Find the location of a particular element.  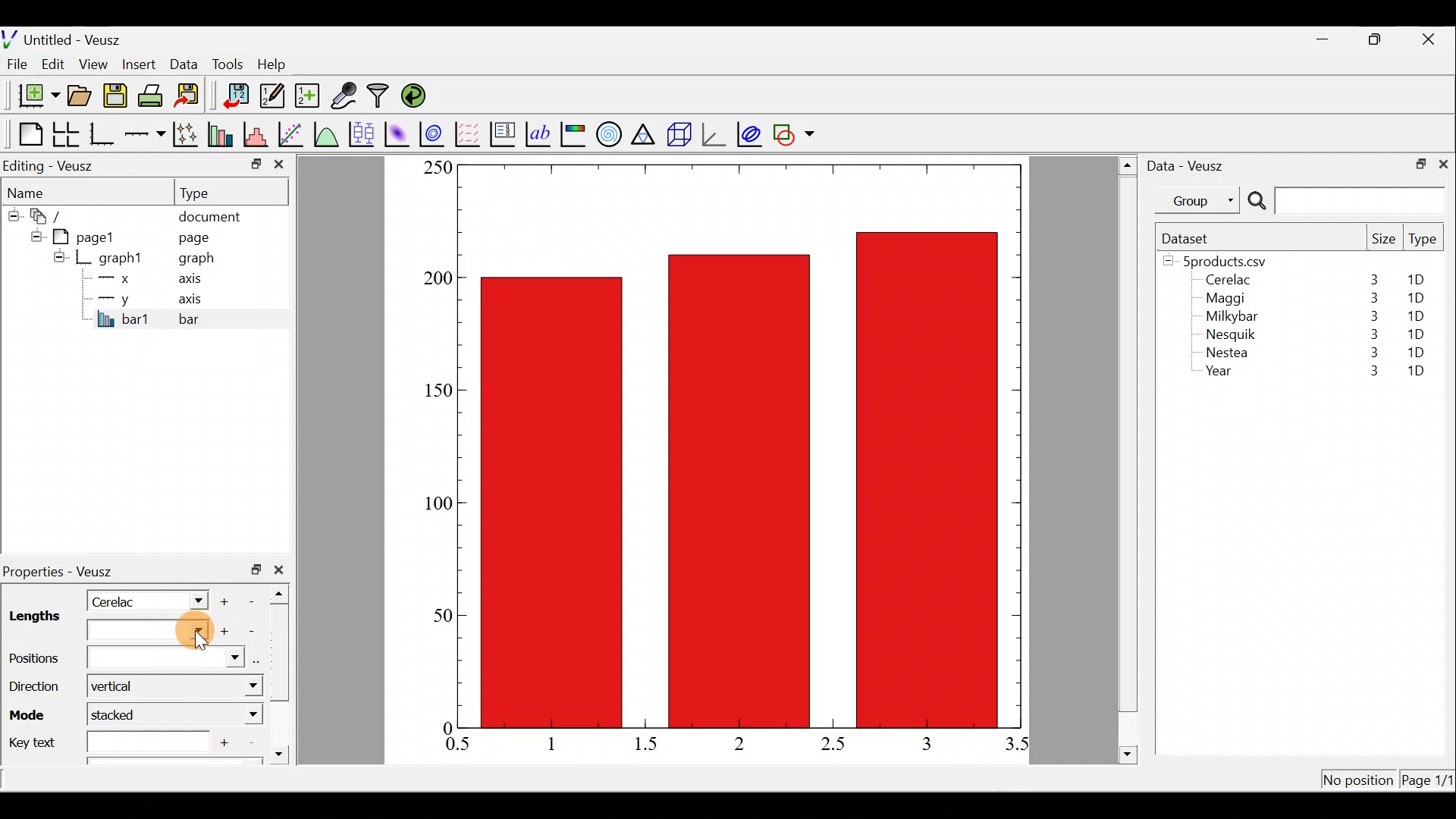

Length dropdown is located at coordinates (191, 600).